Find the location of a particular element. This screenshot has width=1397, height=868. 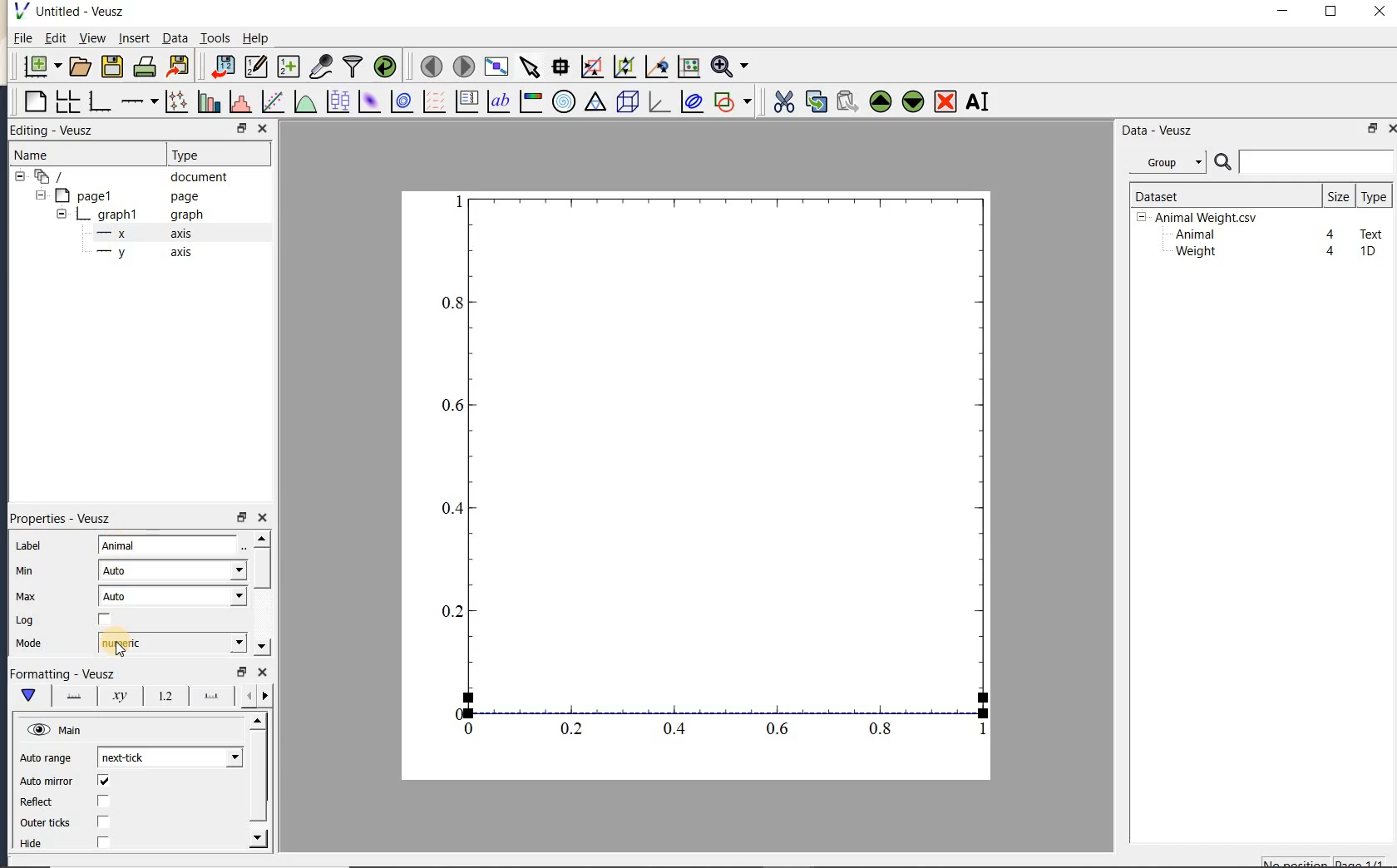

histogram of a dataset is located at coordinates (239, 101).